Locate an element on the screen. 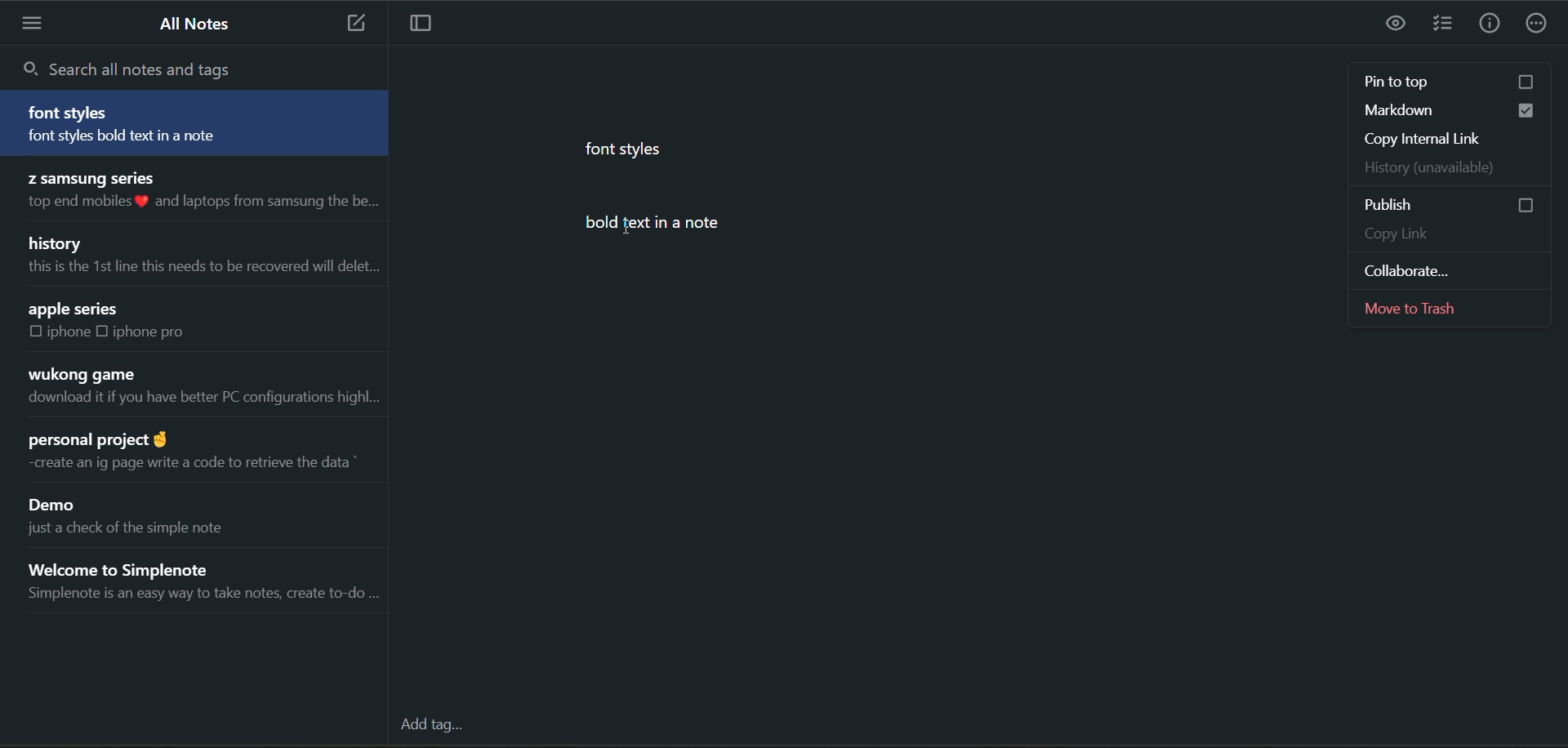 This screenshot has height=748, width=1568. publish is located at coordinates (1404, 207).